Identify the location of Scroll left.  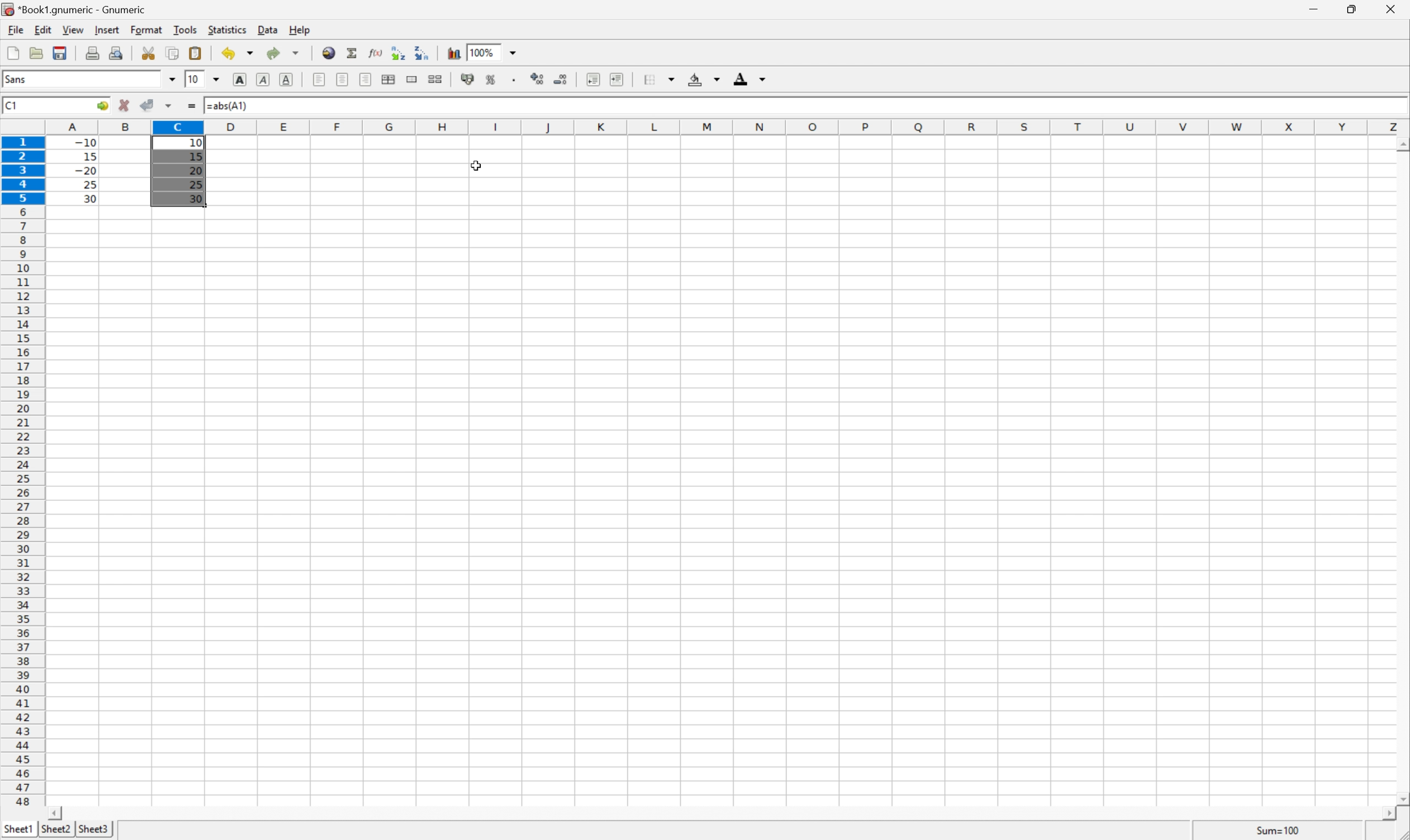
(57, 812).